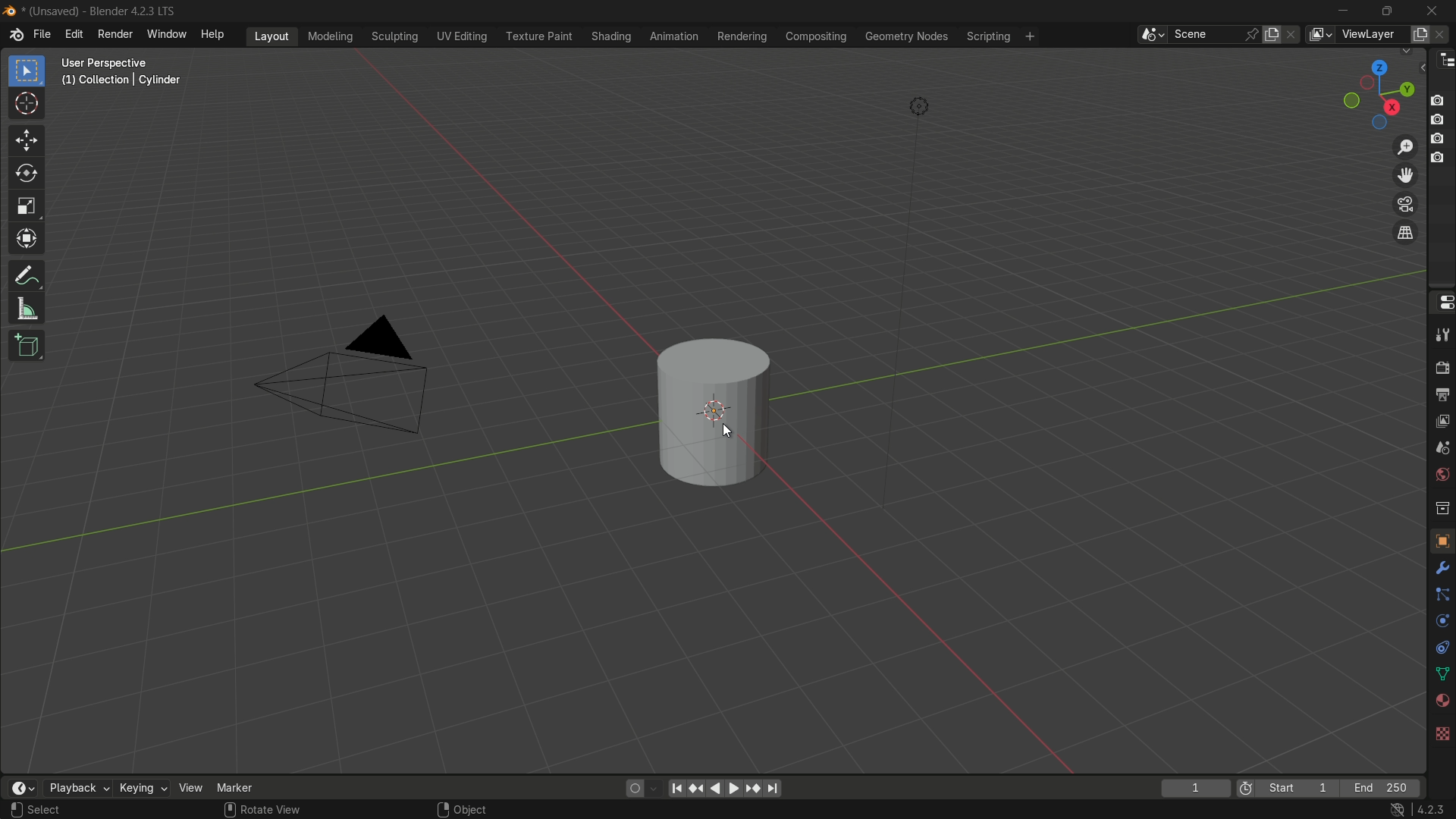 The width and height of the screenshot is (1456, 819). Describe the element at coordinates (1206, 35) in the screenshot. I see `scene` at that location.